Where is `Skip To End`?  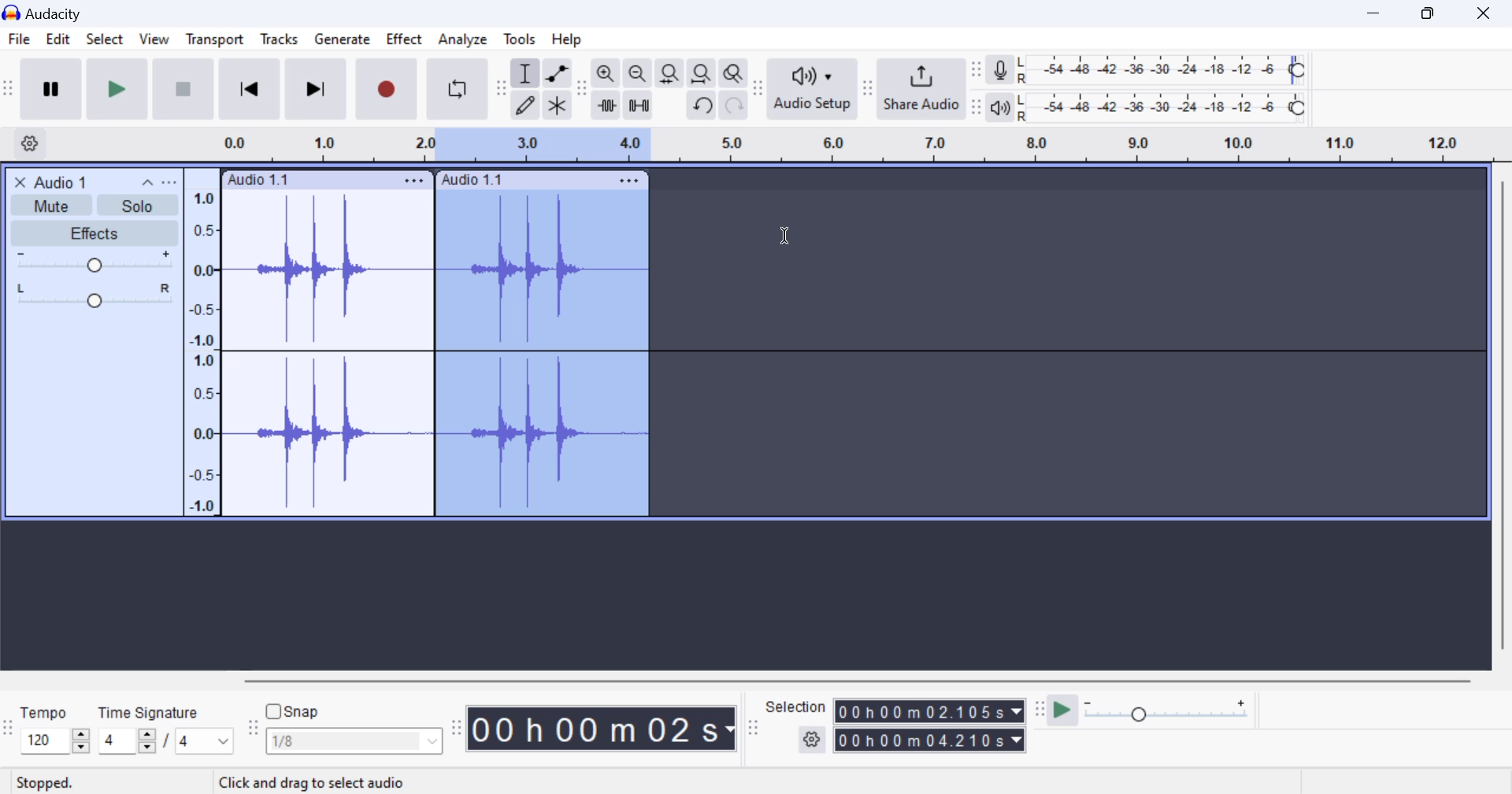 Skip To End is located at coordinates (313, 92).